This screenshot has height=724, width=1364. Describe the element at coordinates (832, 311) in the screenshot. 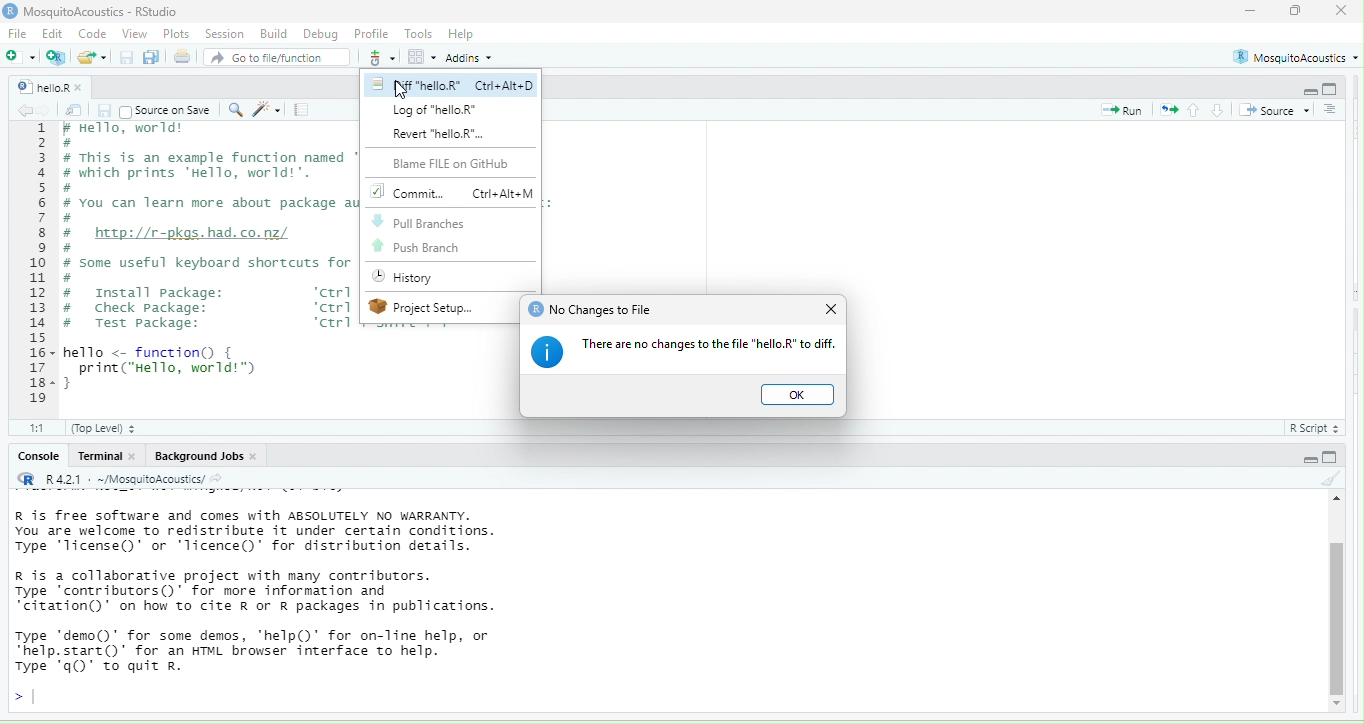

I see `close` at that location.